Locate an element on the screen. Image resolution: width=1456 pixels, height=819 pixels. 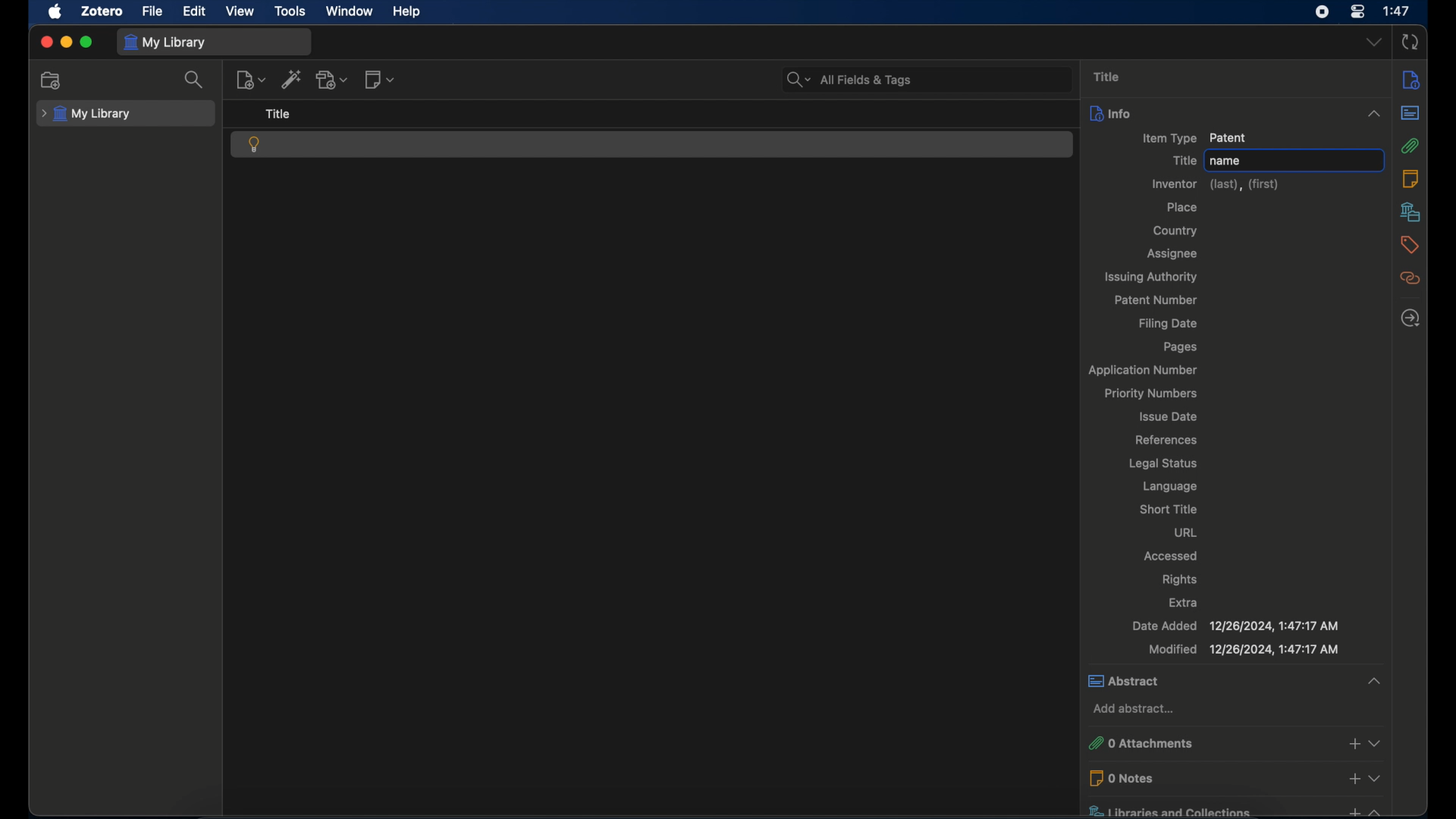
close is located at coordinates (46, 41).